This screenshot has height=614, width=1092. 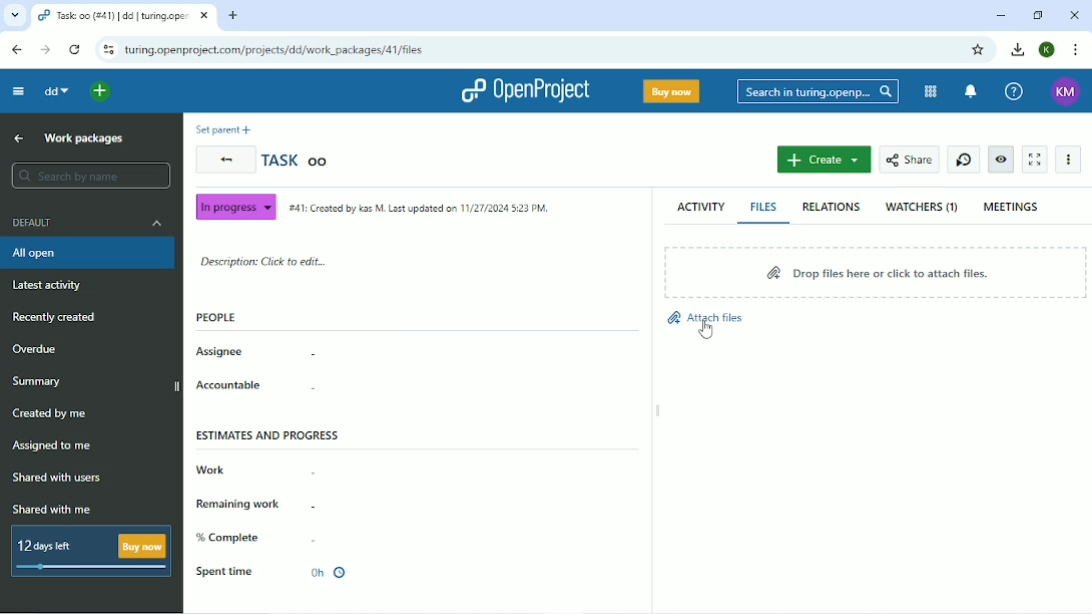 What do you see at coordinates (17, 50) in the screenshot?
I see `Back` at bounding box center [17, 50].